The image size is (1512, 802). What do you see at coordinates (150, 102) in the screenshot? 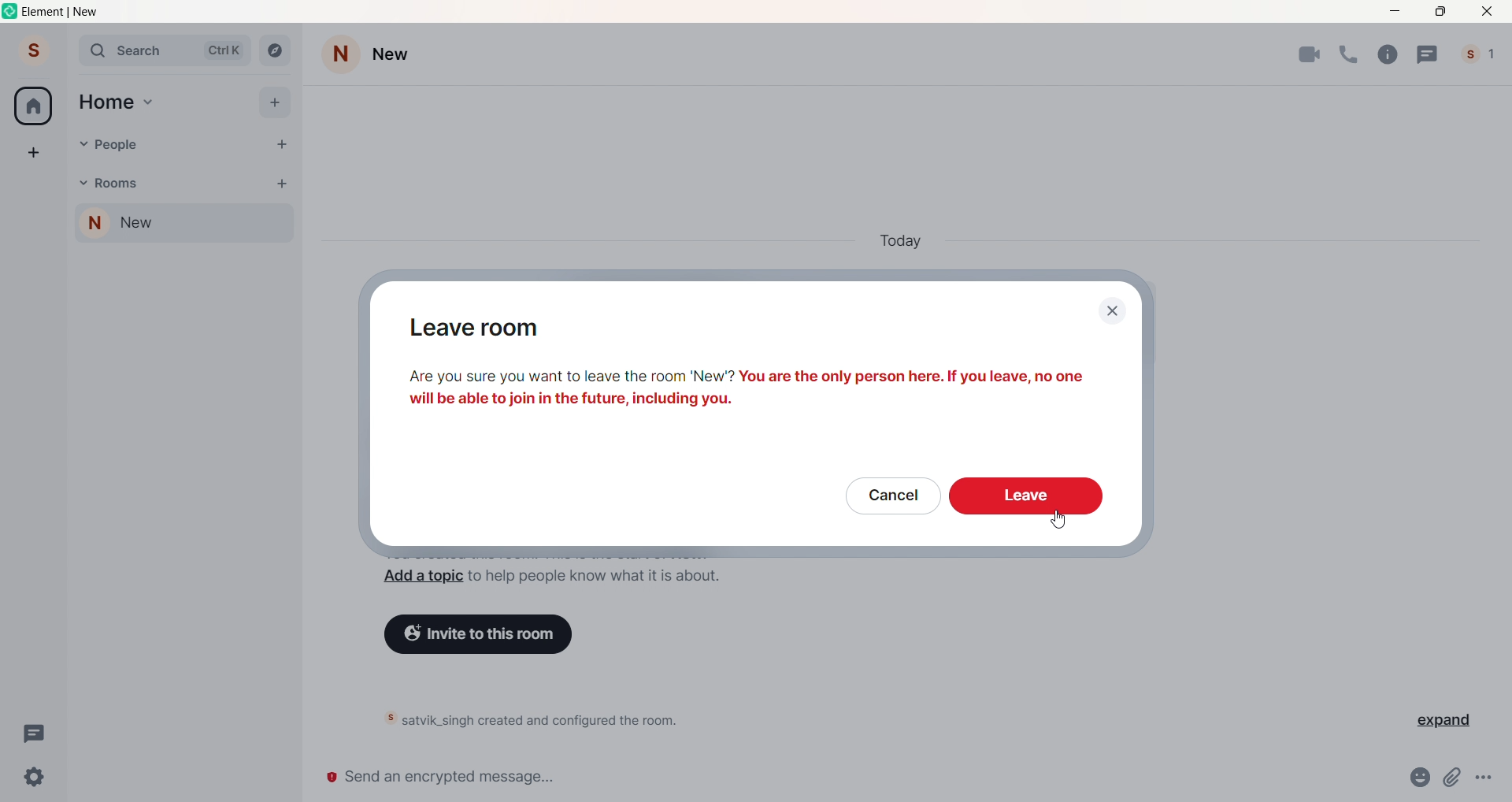
I see `Home Drop Down` at bounding box center [150, 102].